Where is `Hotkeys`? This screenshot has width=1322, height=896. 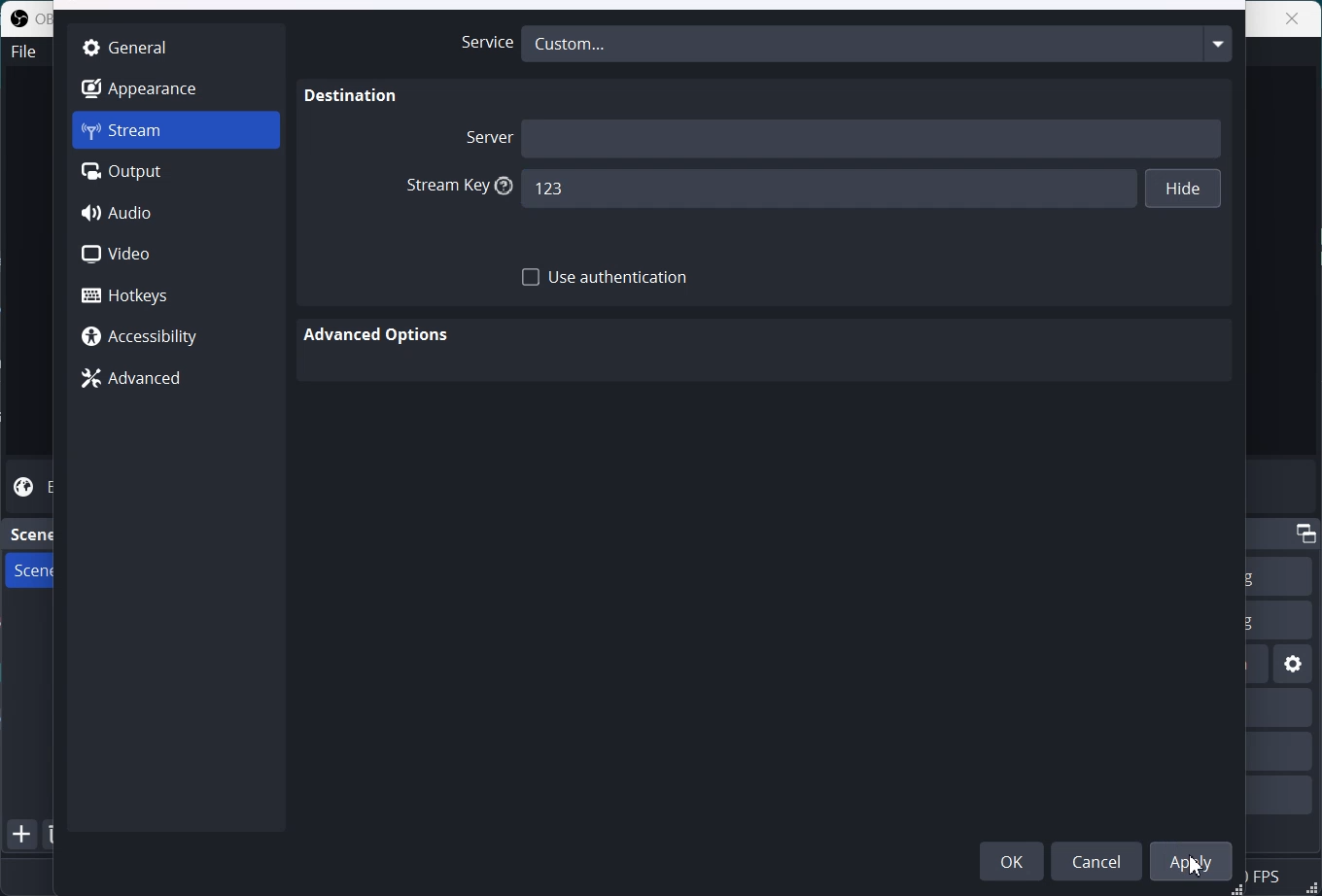
Hotkeys is located at coordinates (177, 294).